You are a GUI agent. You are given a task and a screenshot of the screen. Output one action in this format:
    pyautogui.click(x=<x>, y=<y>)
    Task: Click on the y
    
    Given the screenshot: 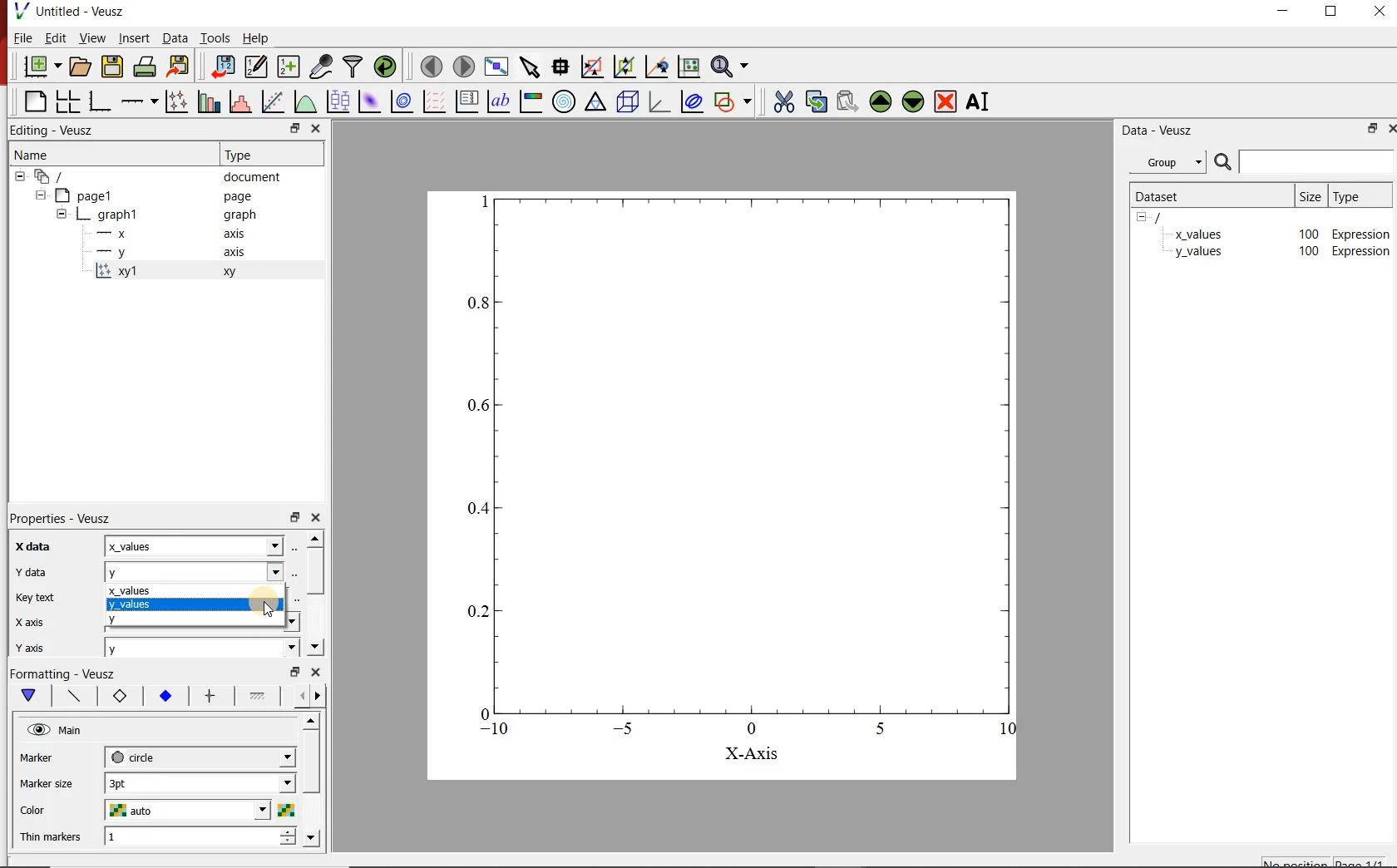 What is the action you would take?
    pyautogui.click(x=195, y=571)
    